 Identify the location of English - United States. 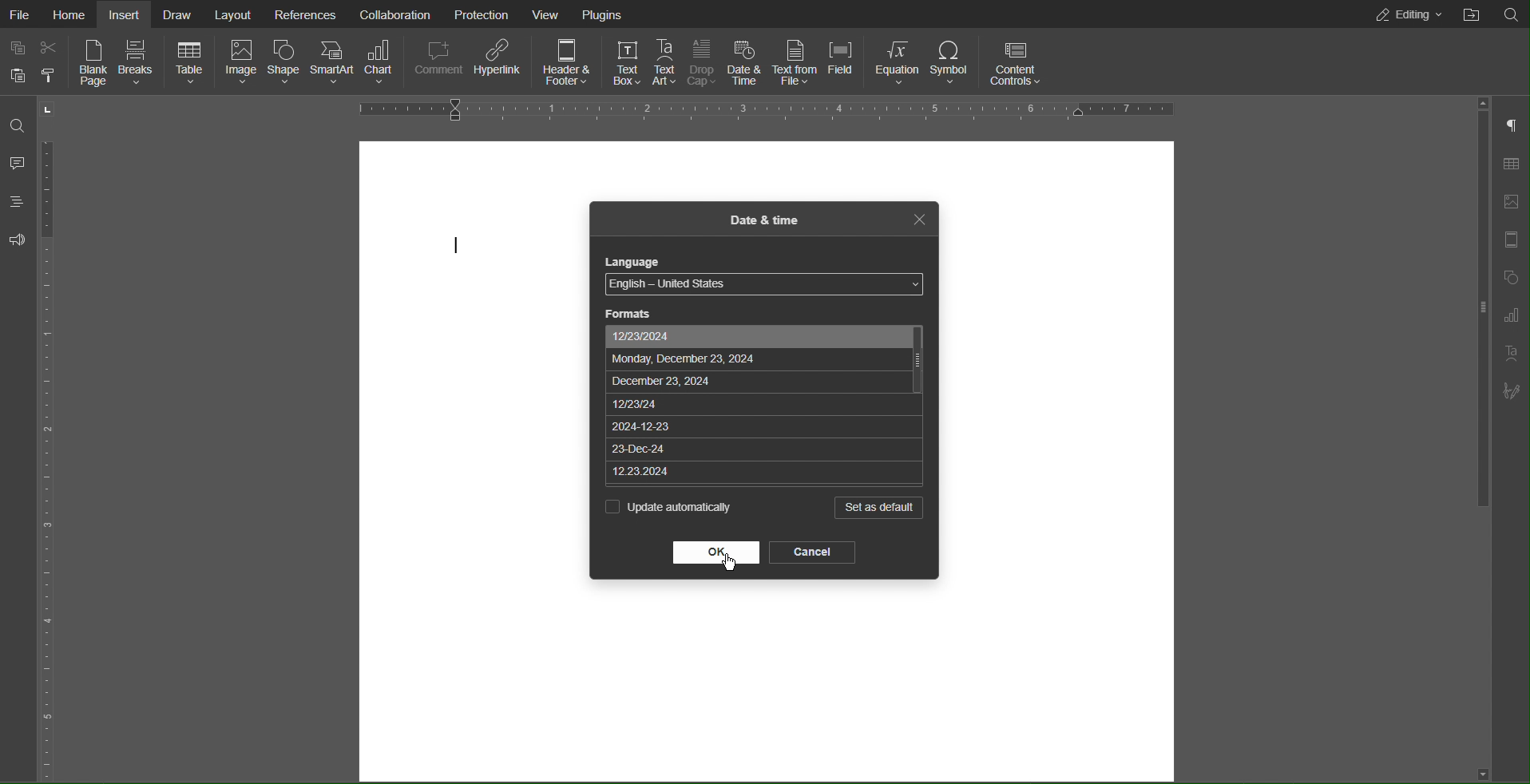
(761, 285).